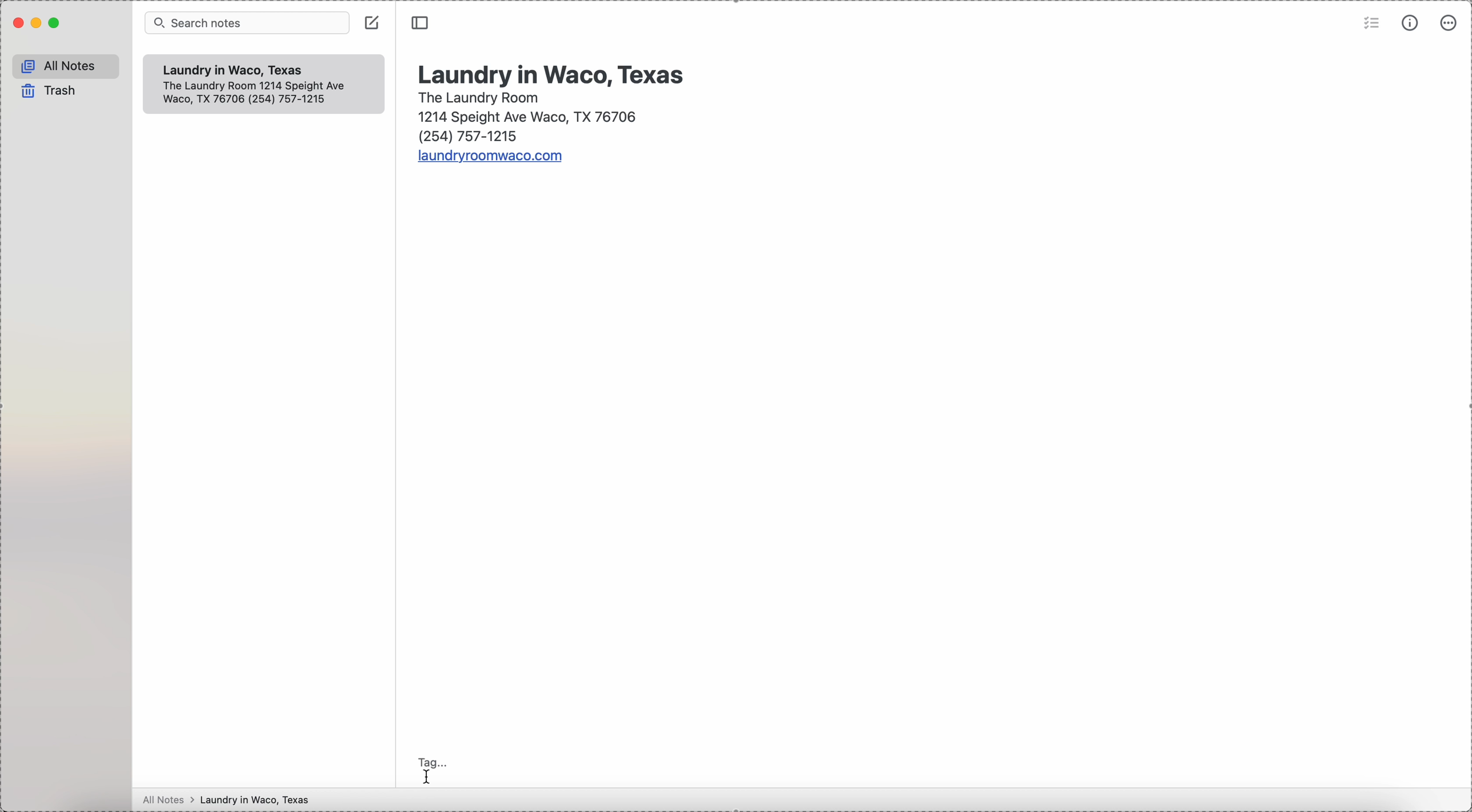 The height and width of the screenshot is (812, 1472). I want to click on The laundry room 1214 Speight Ave Waco, TX 76706 (254) 757-1215, so click(527, 118).